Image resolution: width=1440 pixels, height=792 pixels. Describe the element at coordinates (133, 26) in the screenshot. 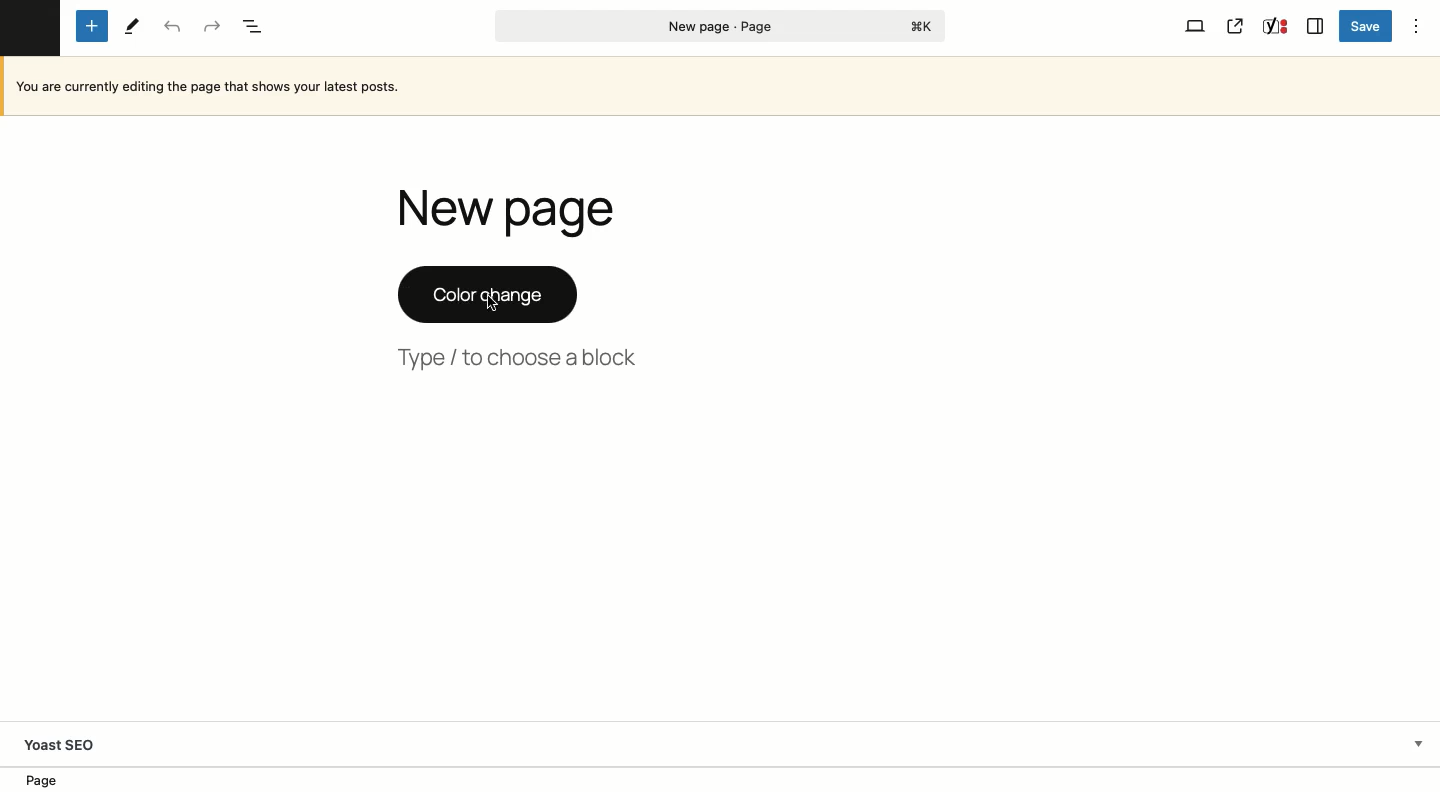

I see `Tools` at that location.